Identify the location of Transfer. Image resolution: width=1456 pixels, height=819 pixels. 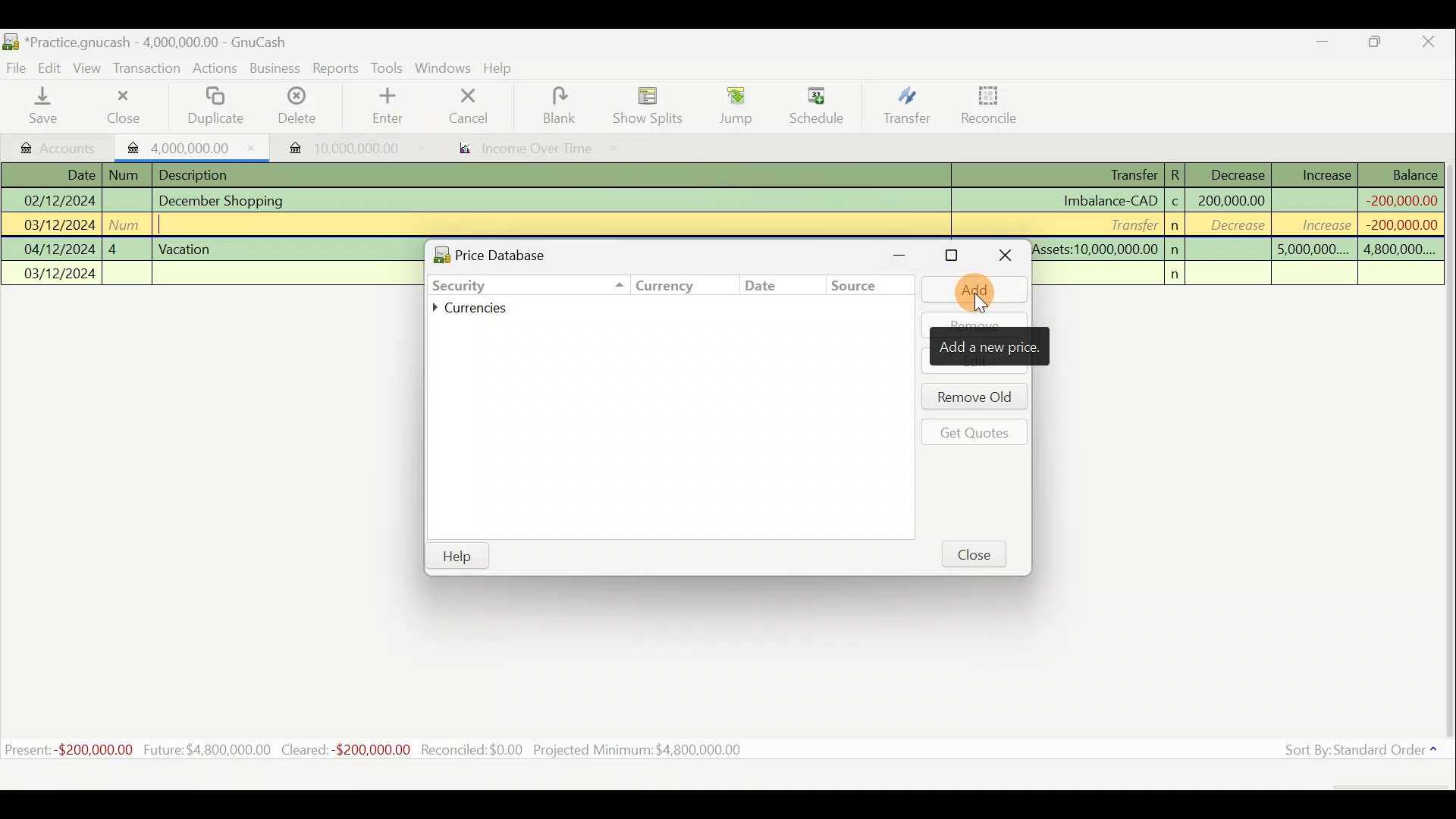
(1129, 224).